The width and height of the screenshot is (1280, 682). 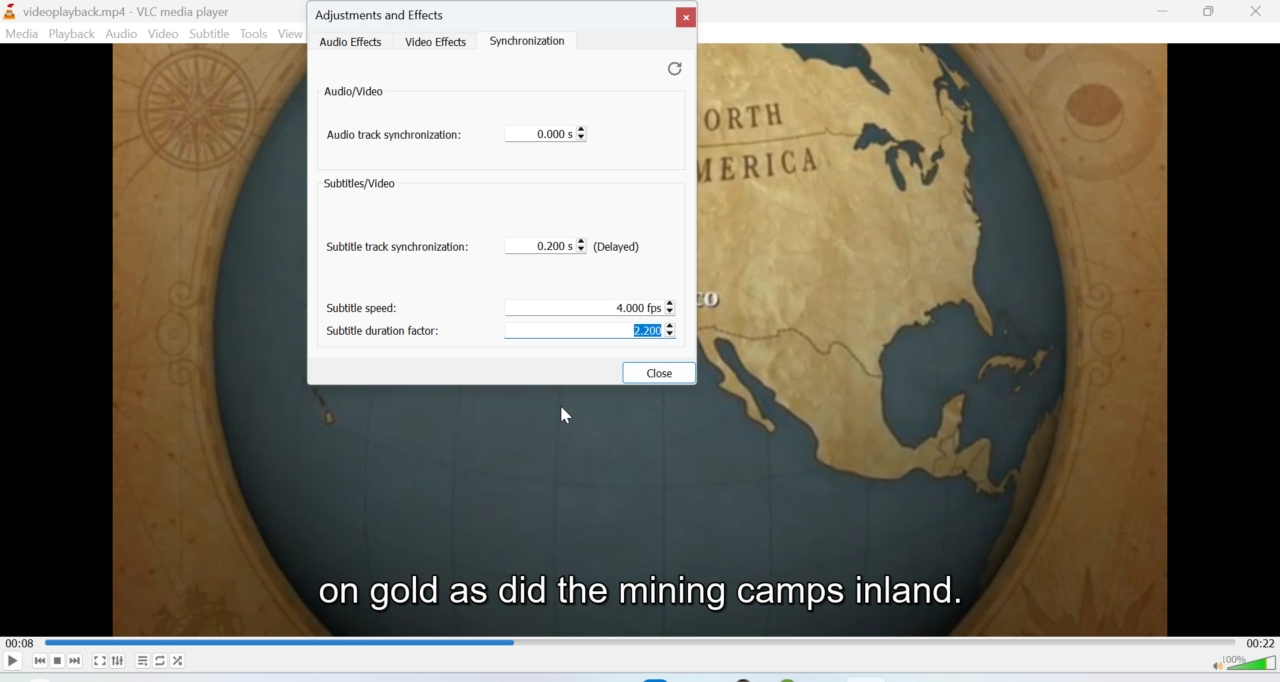 What do you see at coordinates (1210, 13) in the screenshot?
I see `Maximize` at bounding box center [1210, 13].